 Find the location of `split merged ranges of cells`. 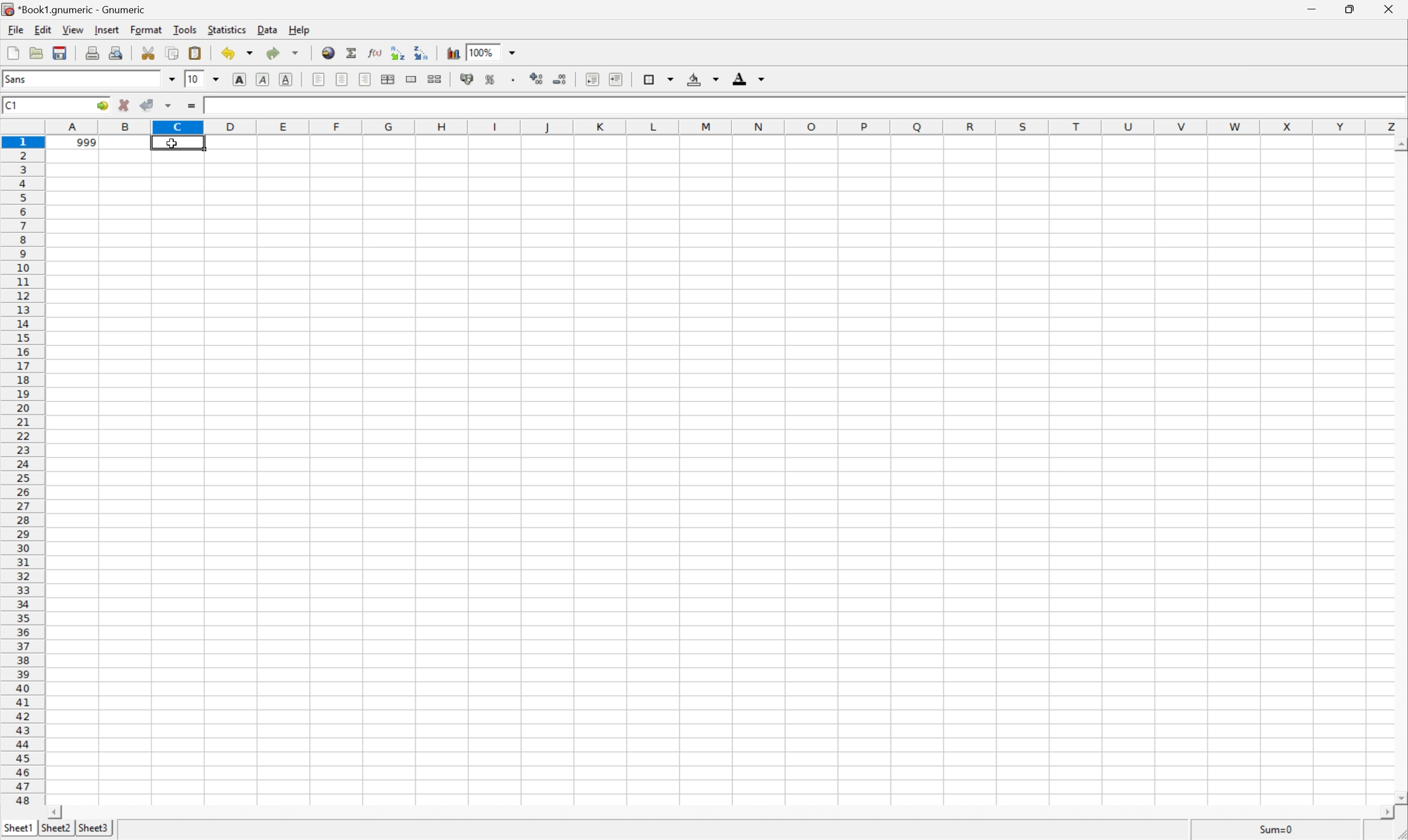

split merged ranges of cells is located at coordinates (436, 79).